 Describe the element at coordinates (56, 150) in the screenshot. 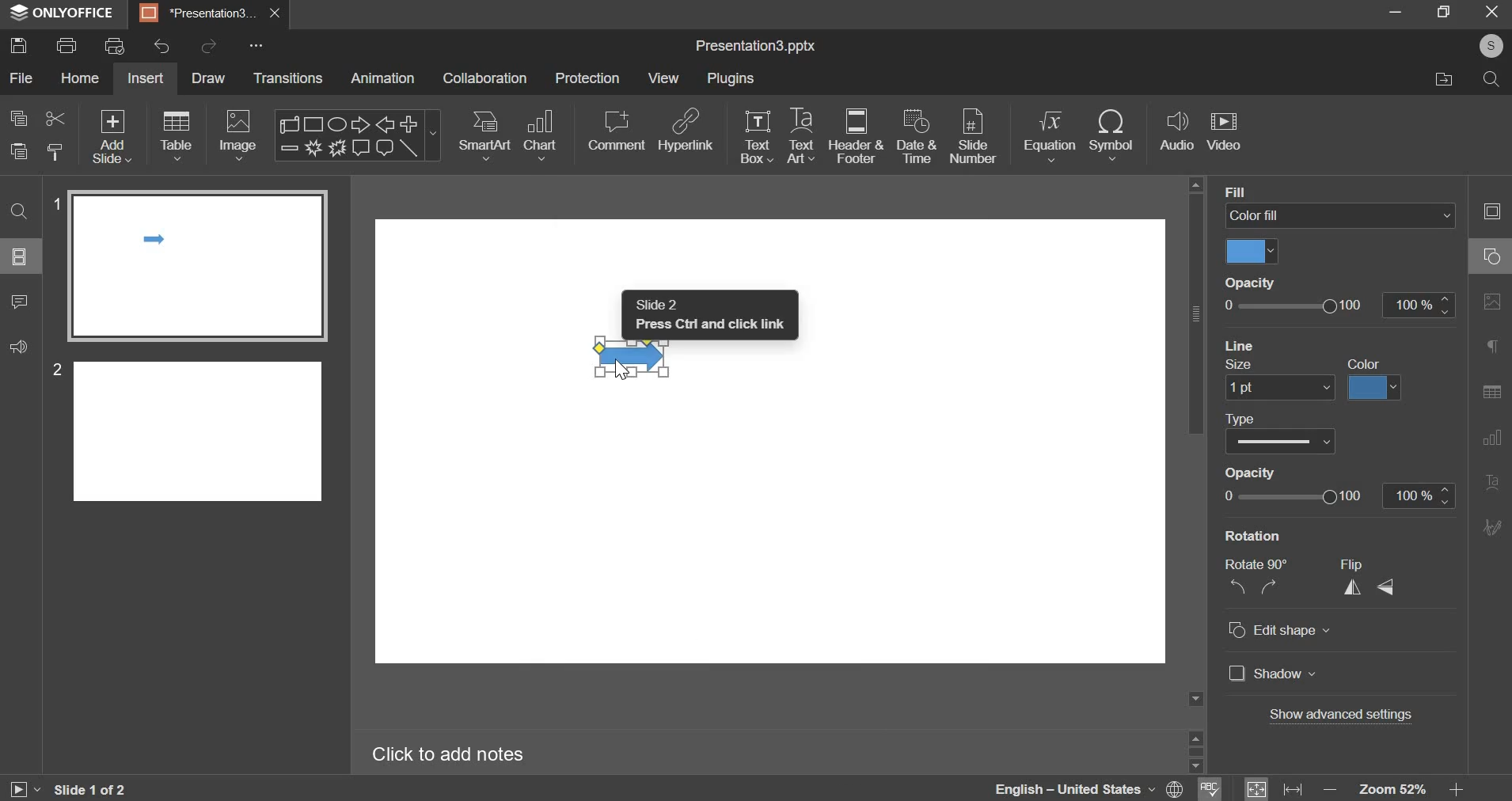

I see `paste` at that location.